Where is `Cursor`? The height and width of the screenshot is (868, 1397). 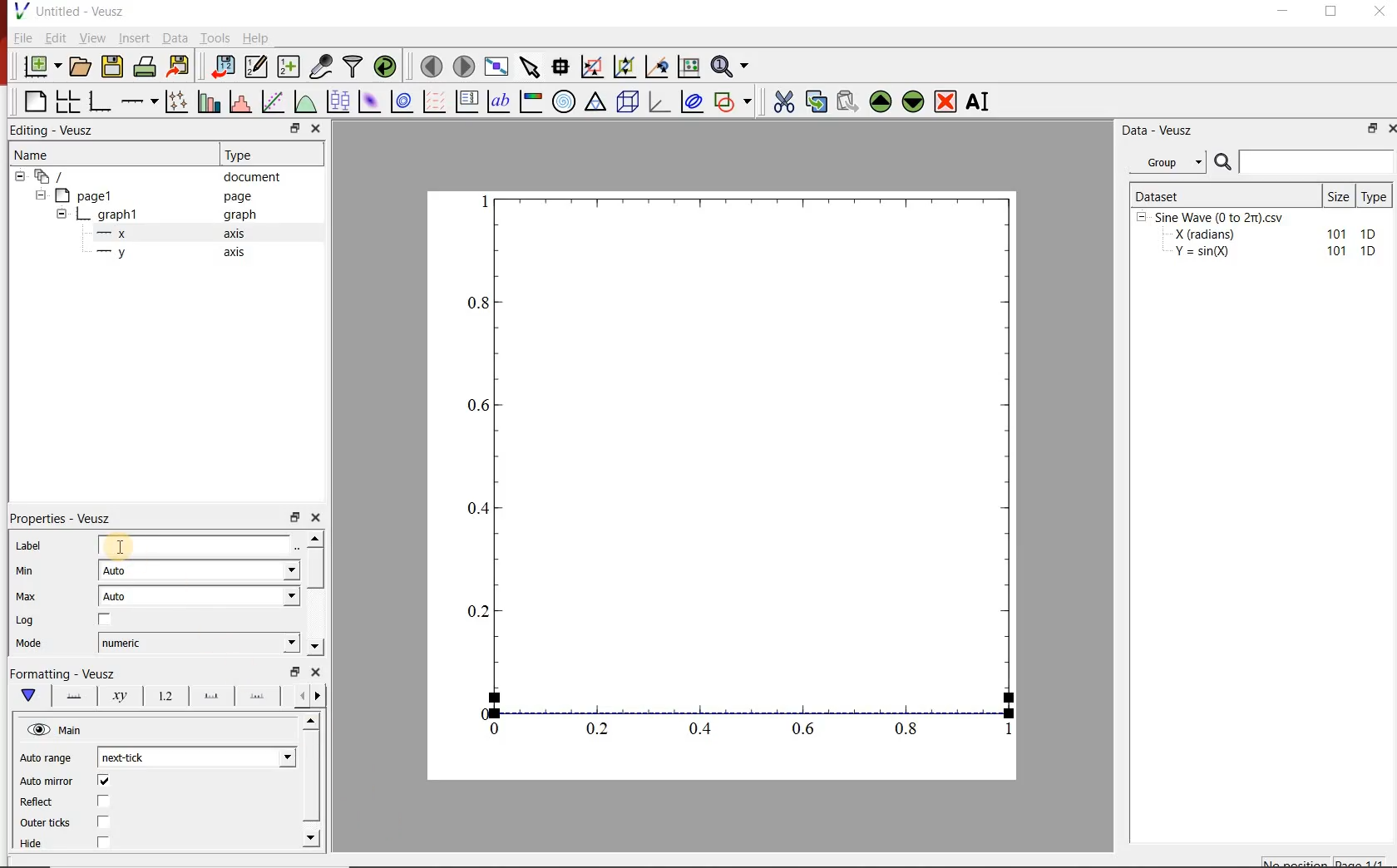
Cursor is located at coordinates (118, 547).